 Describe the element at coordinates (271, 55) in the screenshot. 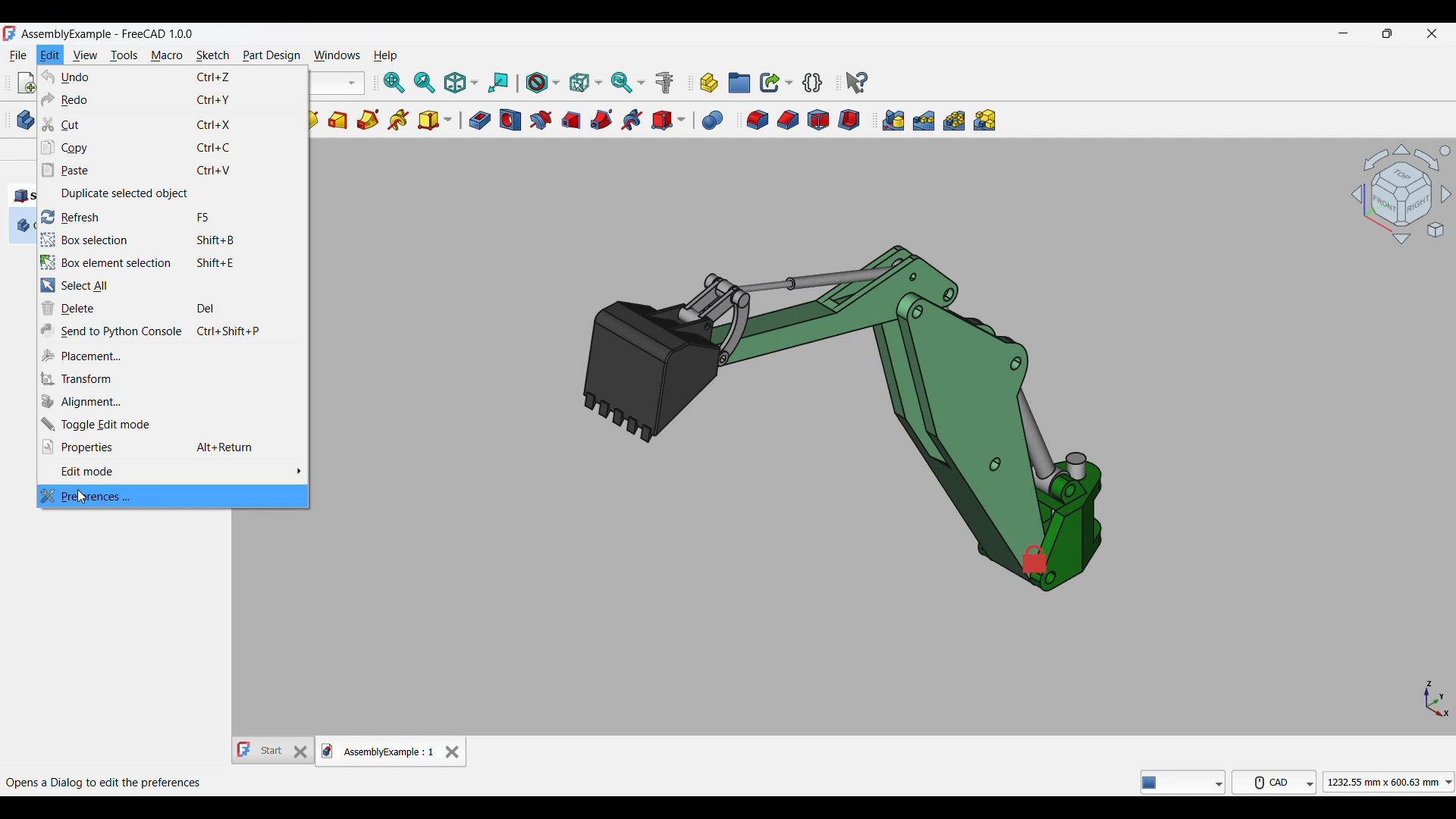

I see `Part design` at that location.